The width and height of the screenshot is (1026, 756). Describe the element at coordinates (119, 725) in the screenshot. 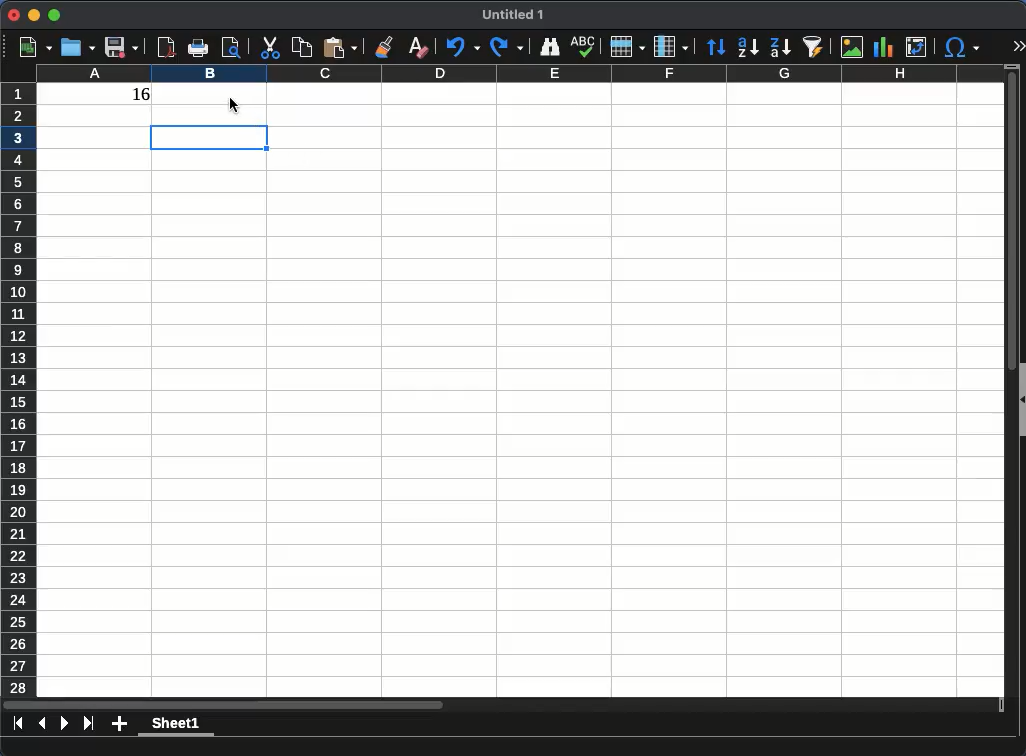

I see `add sheet` at that location.